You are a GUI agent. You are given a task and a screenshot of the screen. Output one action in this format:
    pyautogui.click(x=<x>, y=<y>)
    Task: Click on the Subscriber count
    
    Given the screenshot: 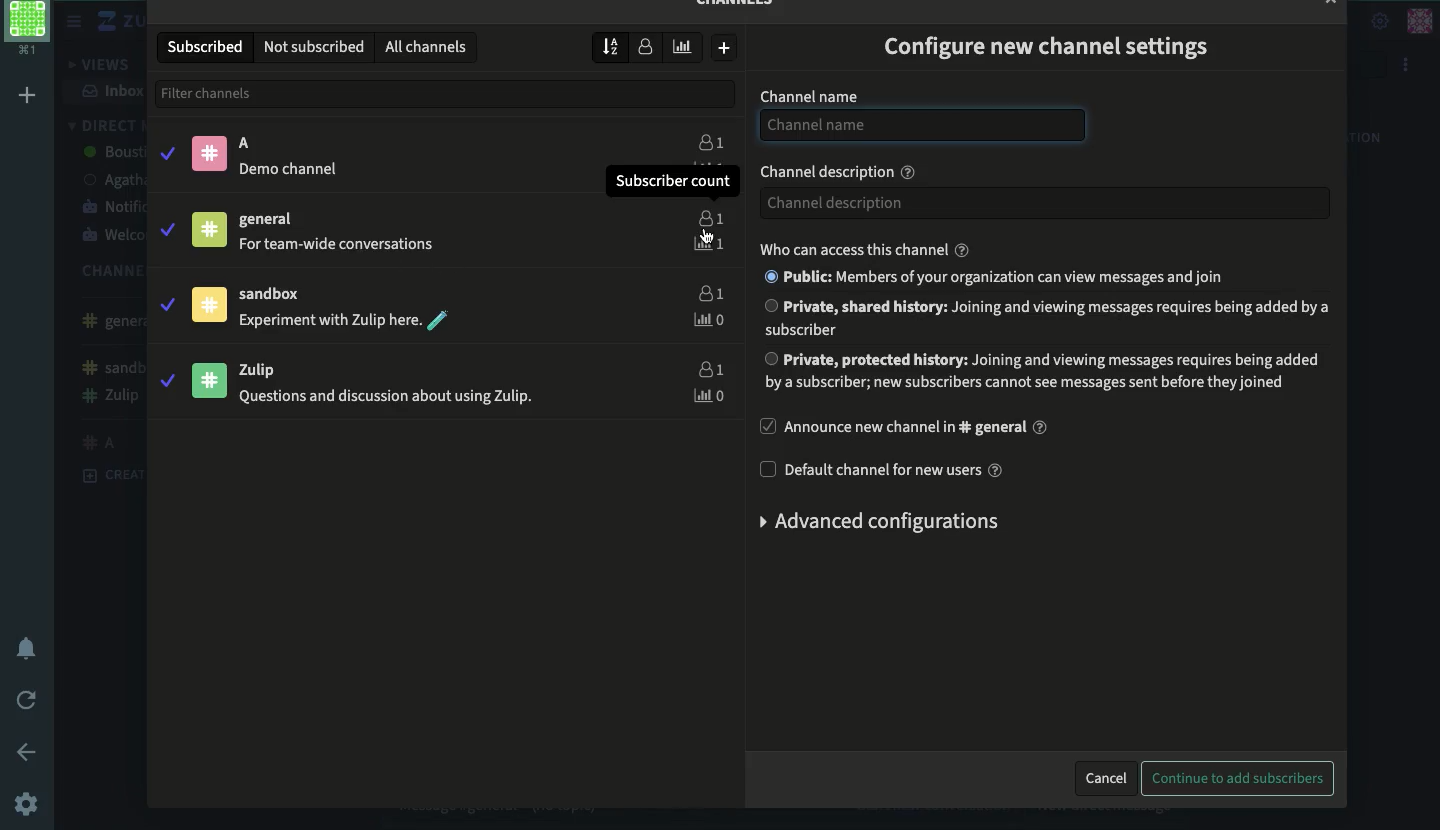 What is the action you would take?
    pyautogui.click(x=675, y=180)
    